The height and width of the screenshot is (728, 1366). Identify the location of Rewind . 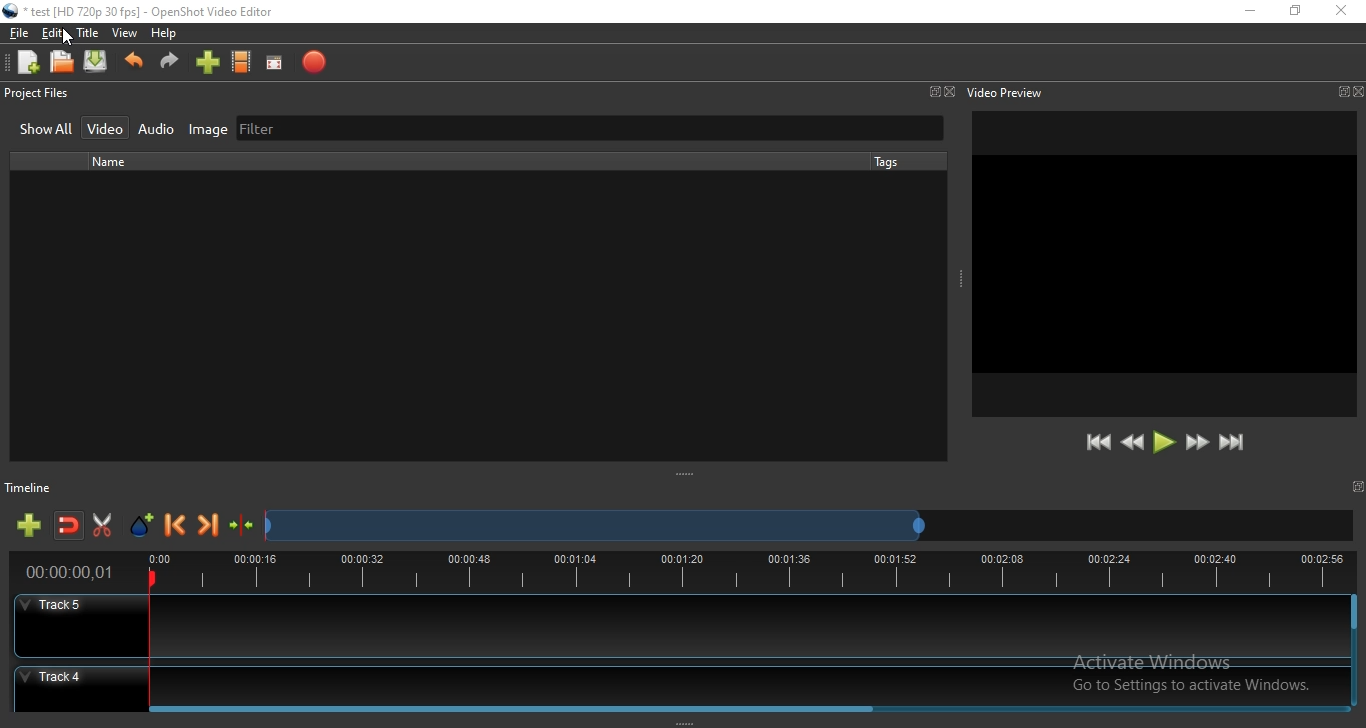
(1132, 443).